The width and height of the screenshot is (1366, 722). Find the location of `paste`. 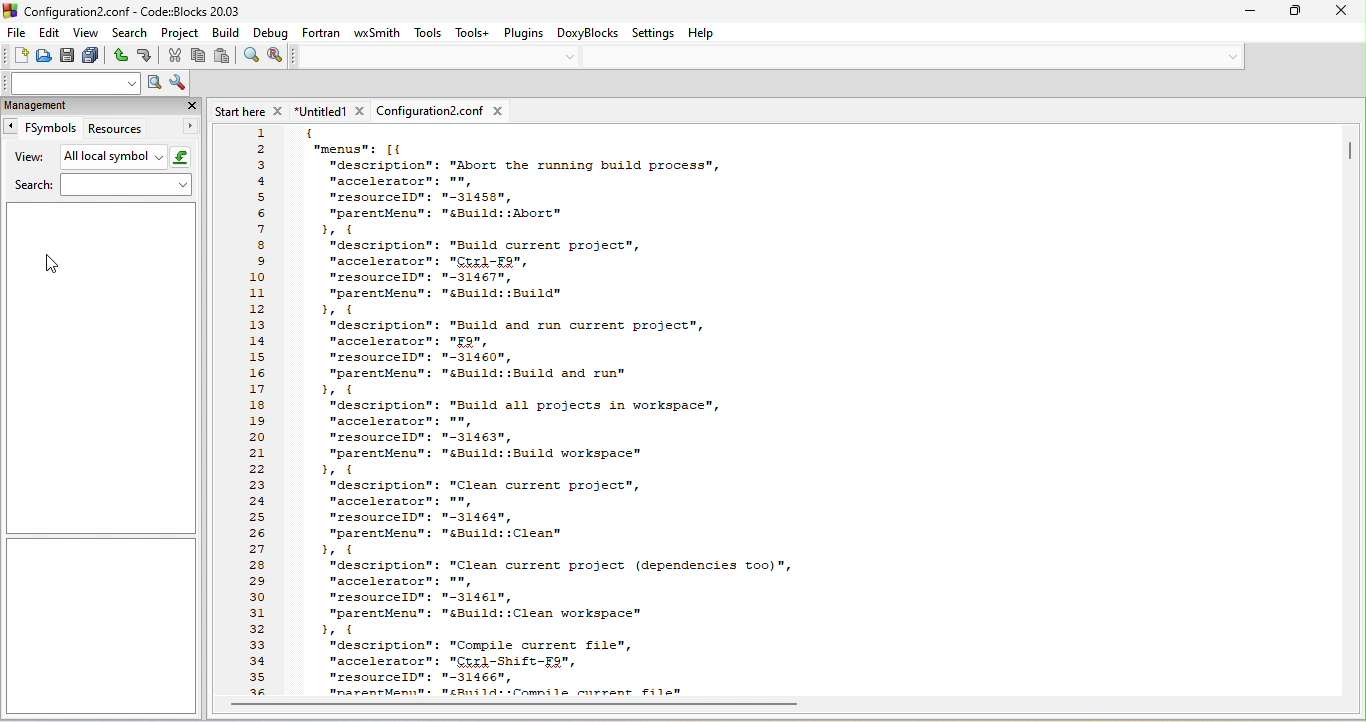

paste is located at coordinates (223, 56).